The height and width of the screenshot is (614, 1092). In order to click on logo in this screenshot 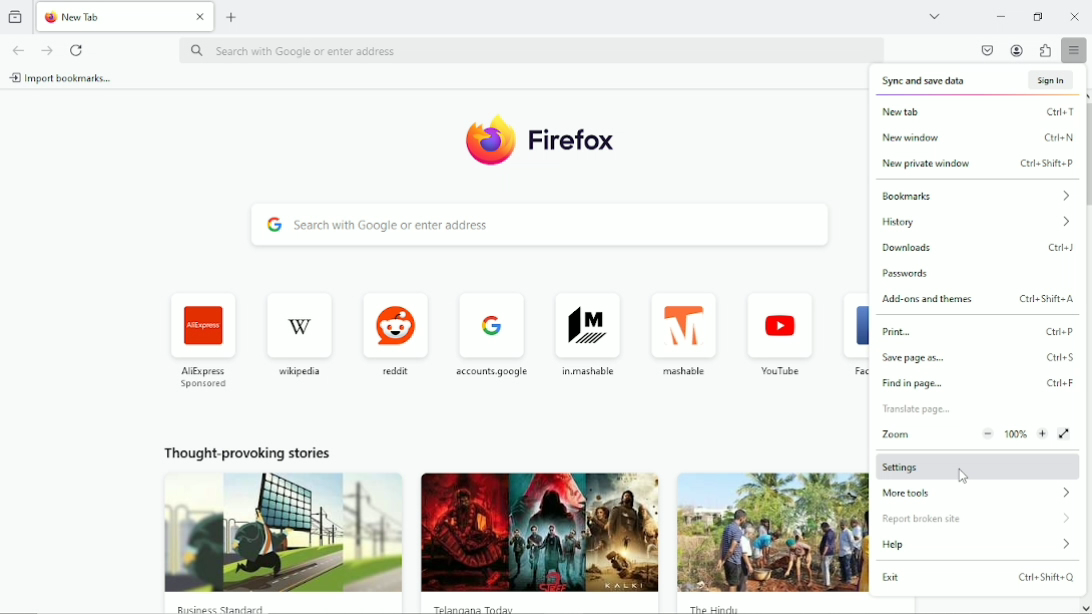, I will do `click(537, 140)`.